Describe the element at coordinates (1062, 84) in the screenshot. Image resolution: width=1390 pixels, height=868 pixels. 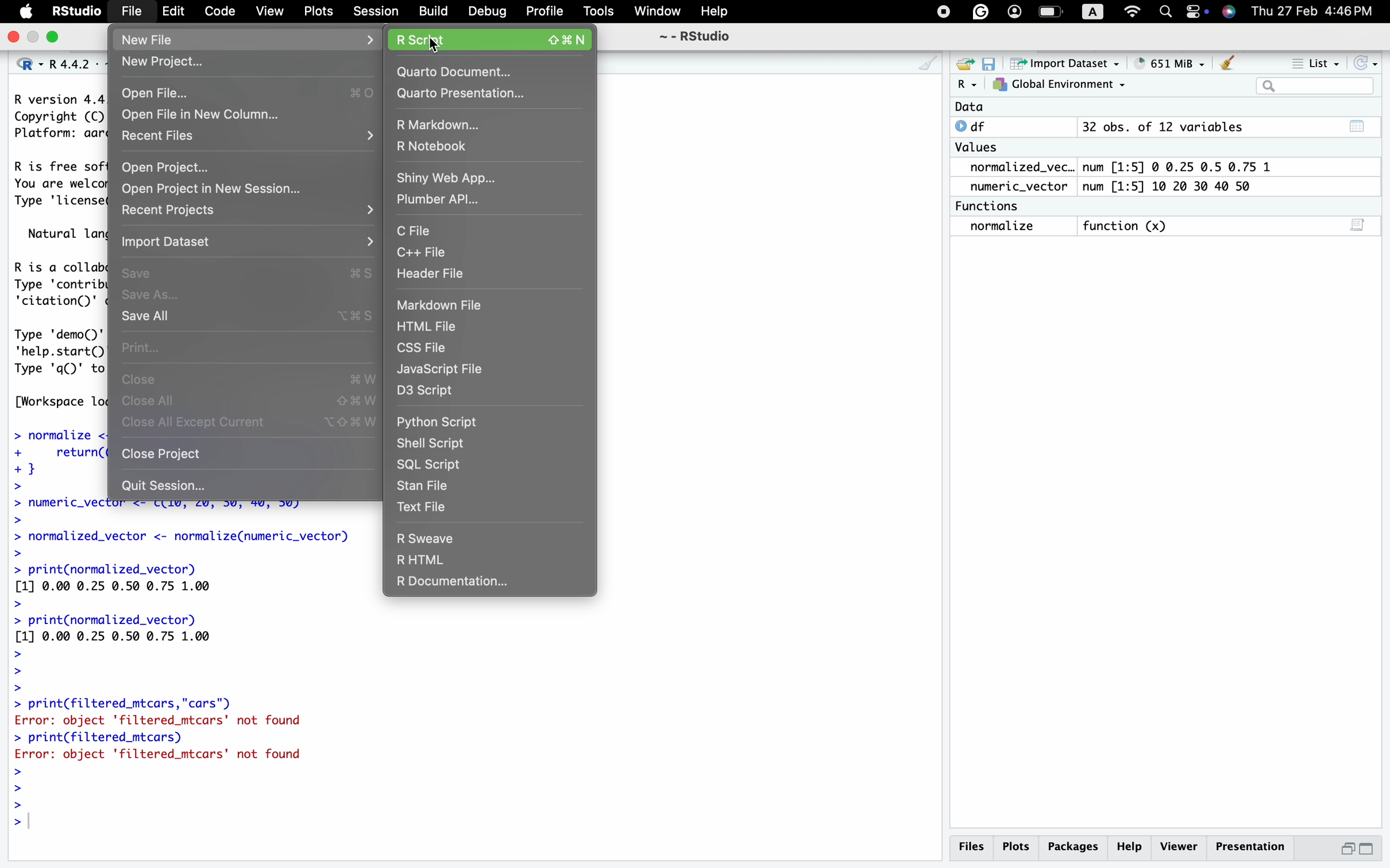
I see `7} Global Environment ~` at that location.